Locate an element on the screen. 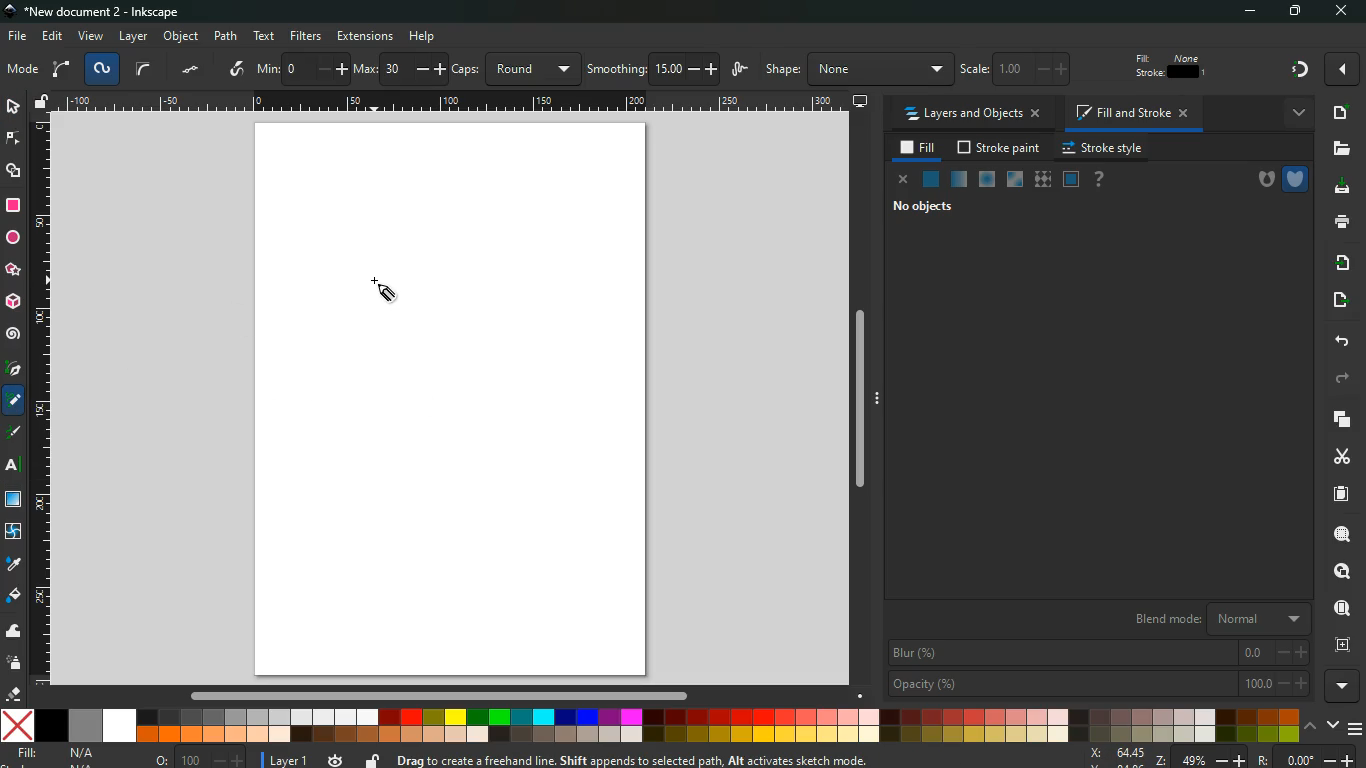 Image resolution: width=1366 pixels, height=768 pixels. spiral is located at coordinates (14, 334).